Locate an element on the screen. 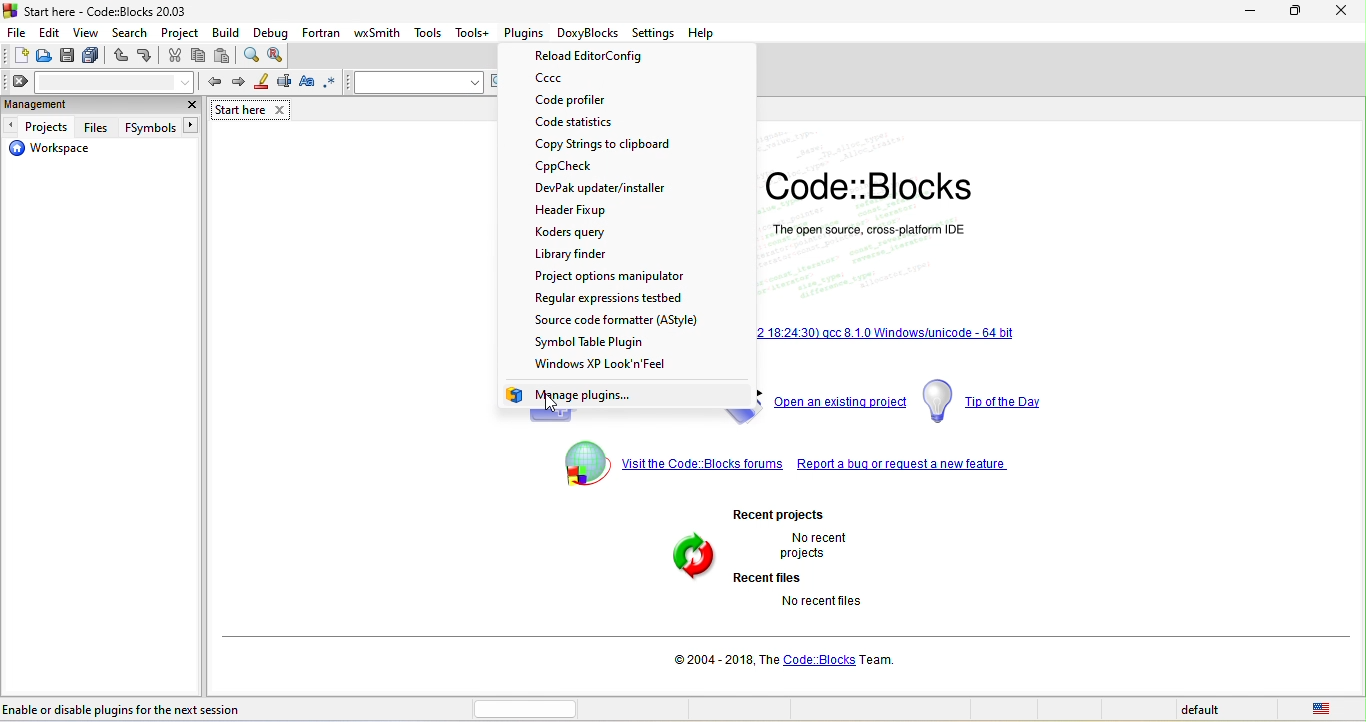  manage plugins is located at coordinates (582, 396).